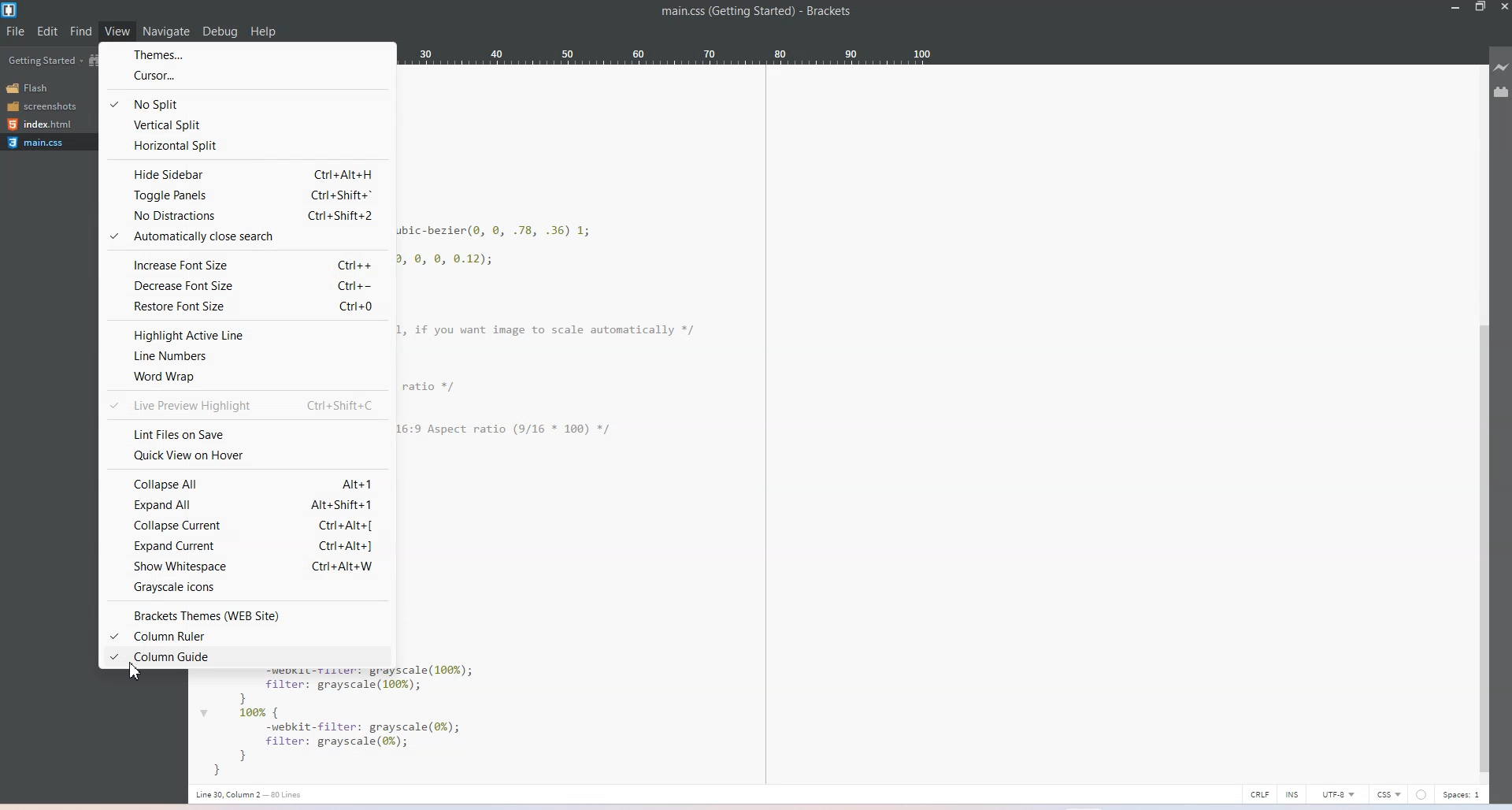  What do you see at coordinates (246, 237) in the screenshot?
I see `Automatically close search` at bounding box center [246, 237].